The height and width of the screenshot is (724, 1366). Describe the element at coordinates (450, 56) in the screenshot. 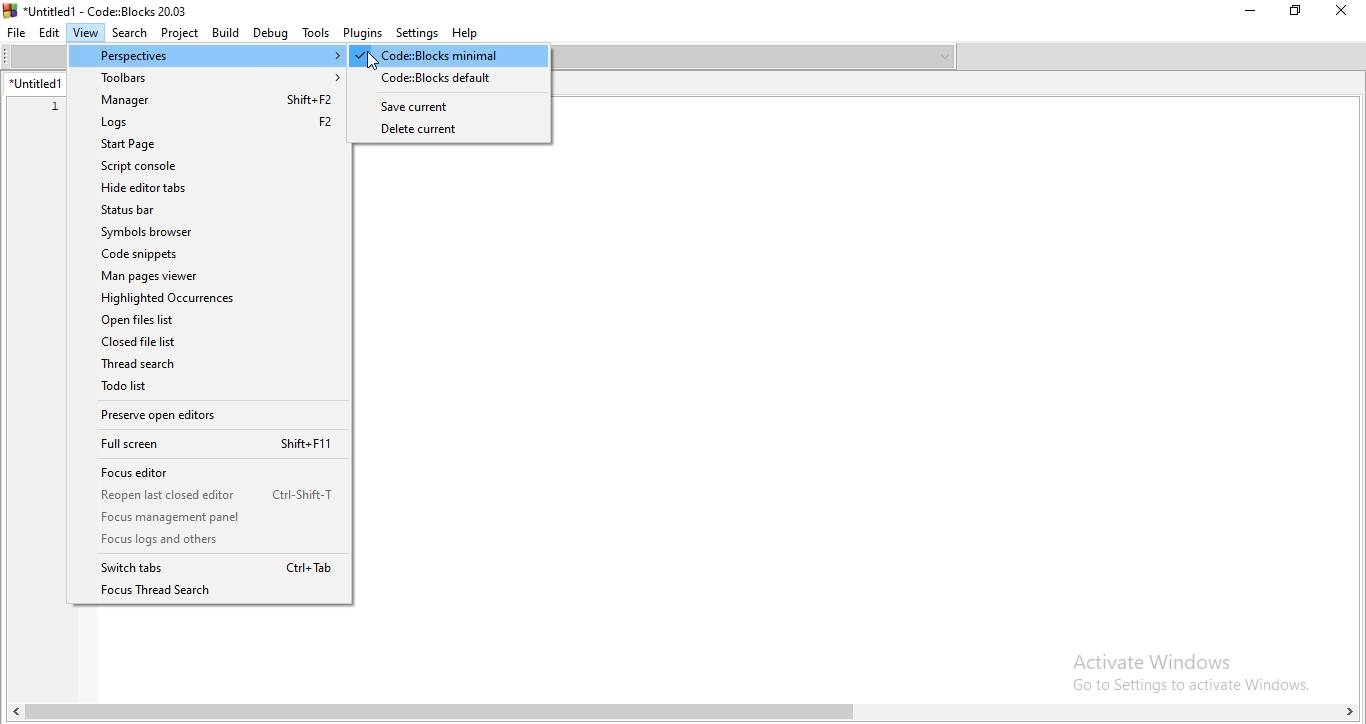

I see `highlighted Code:Blocks minimal` at that location.